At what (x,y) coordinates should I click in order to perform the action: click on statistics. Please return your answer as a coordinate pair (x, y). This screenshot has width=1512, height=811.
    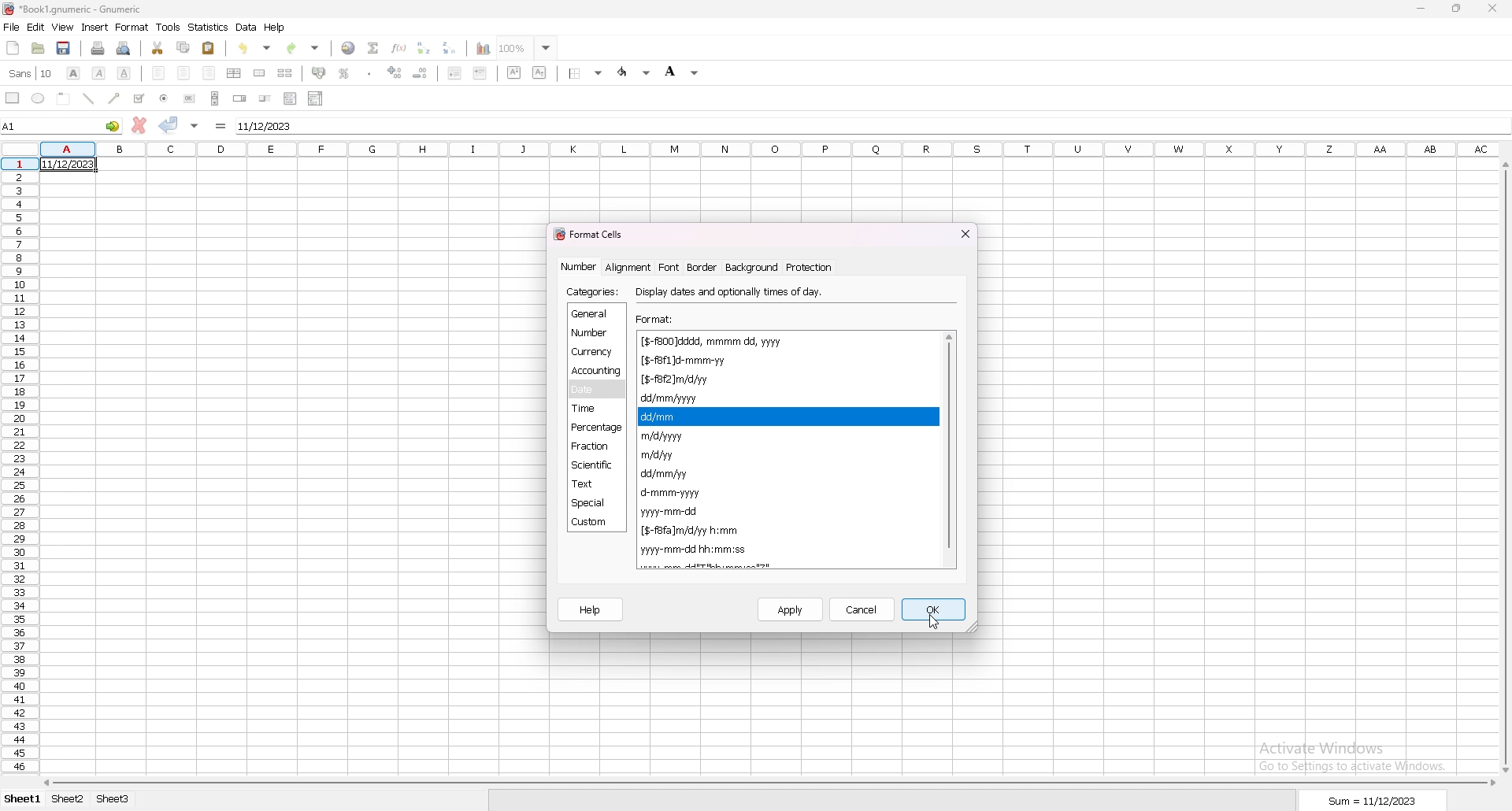
    Looking at the image, I should click on (209, 27).